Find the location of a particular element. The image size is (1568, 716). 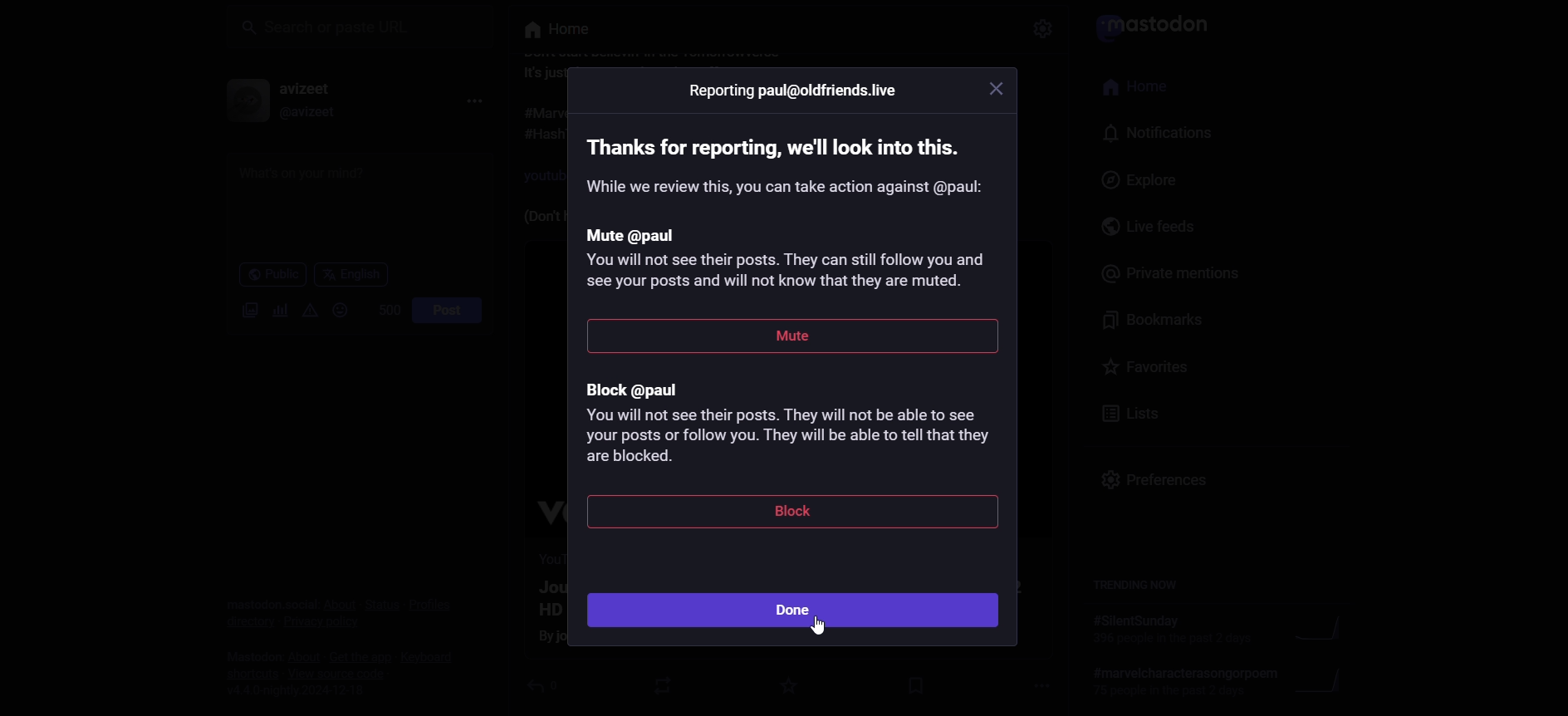

bookmarks is located at coordinates (1162, 319).